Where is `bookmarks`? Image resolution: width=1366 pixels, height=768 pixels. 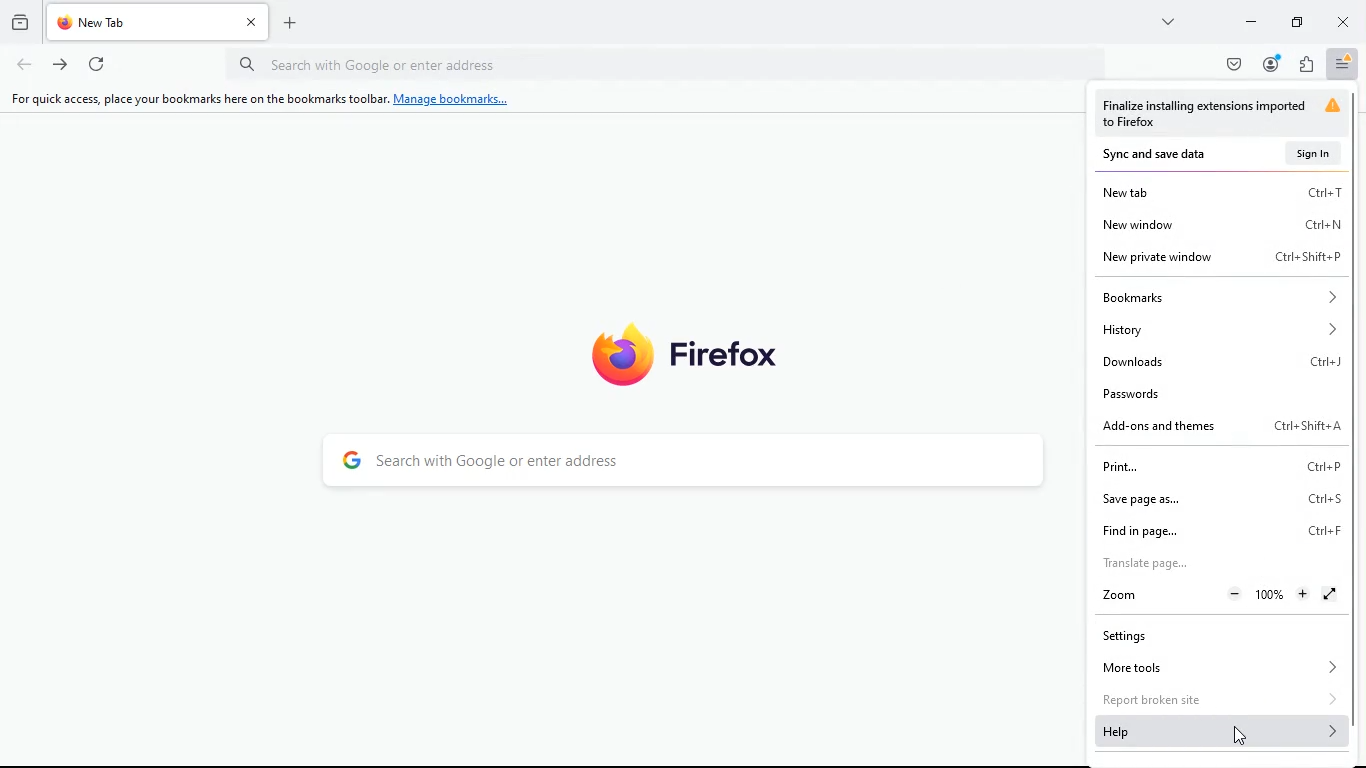 bookmarks is located at coordinates (1228, 296).